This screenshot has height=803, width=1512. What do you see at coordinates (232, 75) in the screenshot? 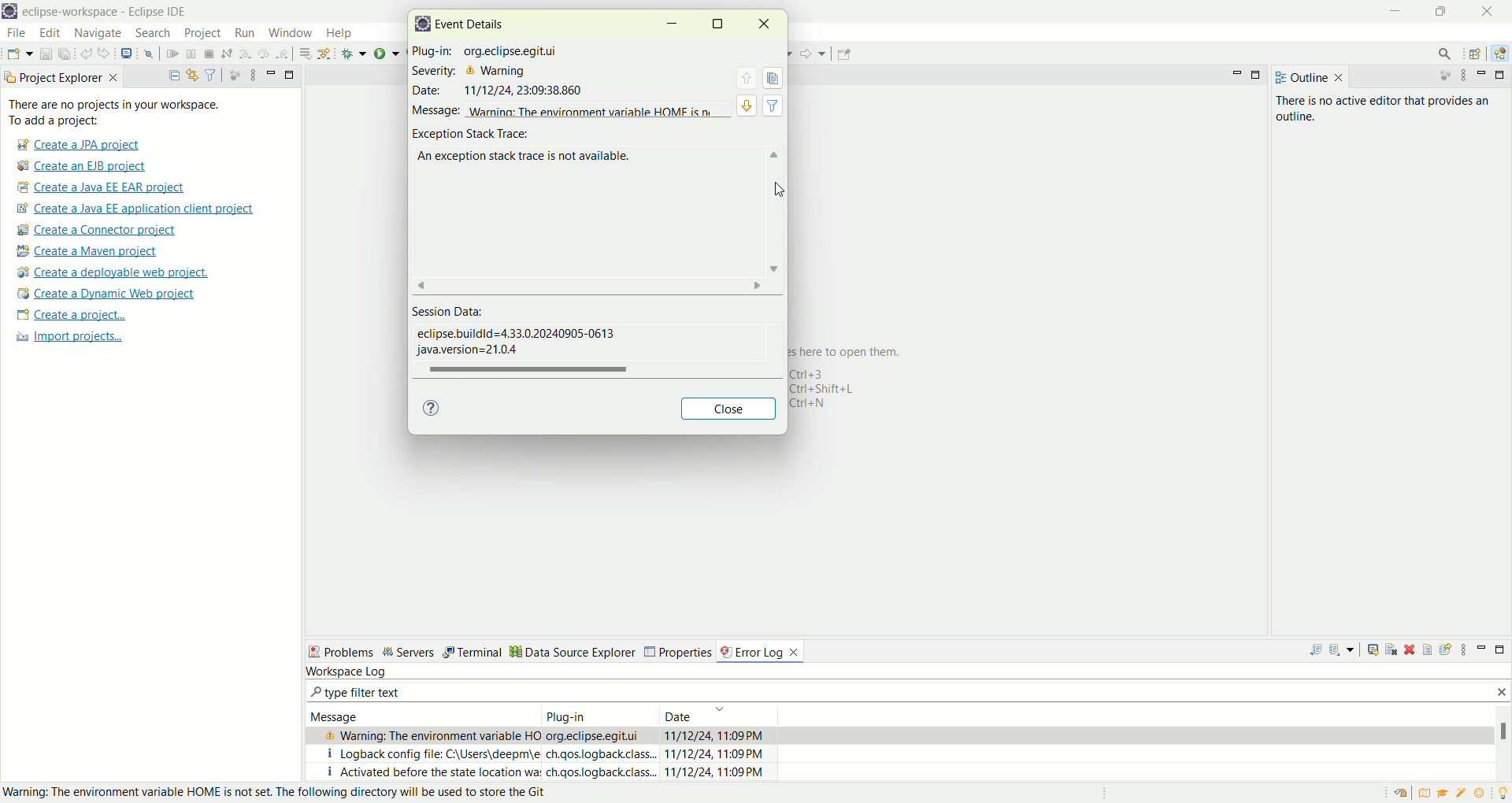
I see `focus on active tasks` at bounding box center [232, 75].